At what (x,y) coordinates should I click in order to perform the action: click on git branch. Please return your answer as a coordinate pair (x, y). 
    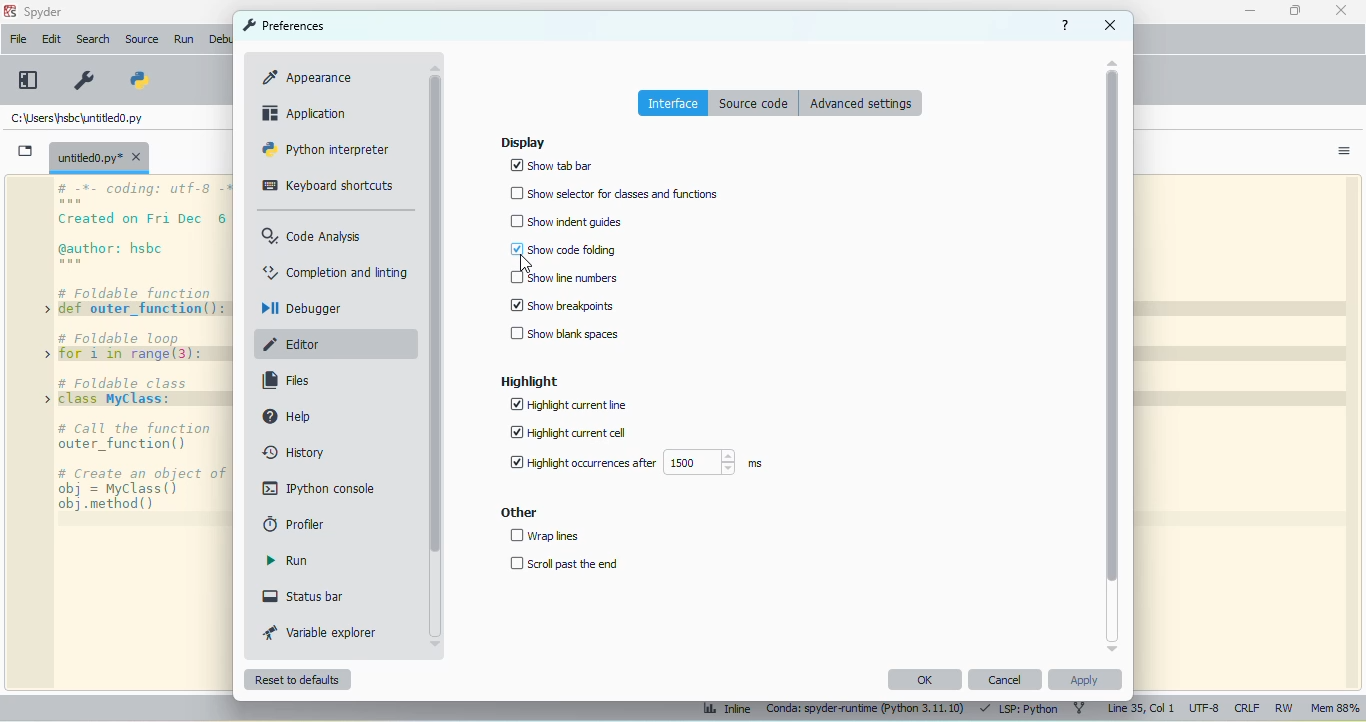
    Looking at the image, I should click on (1079, 709).